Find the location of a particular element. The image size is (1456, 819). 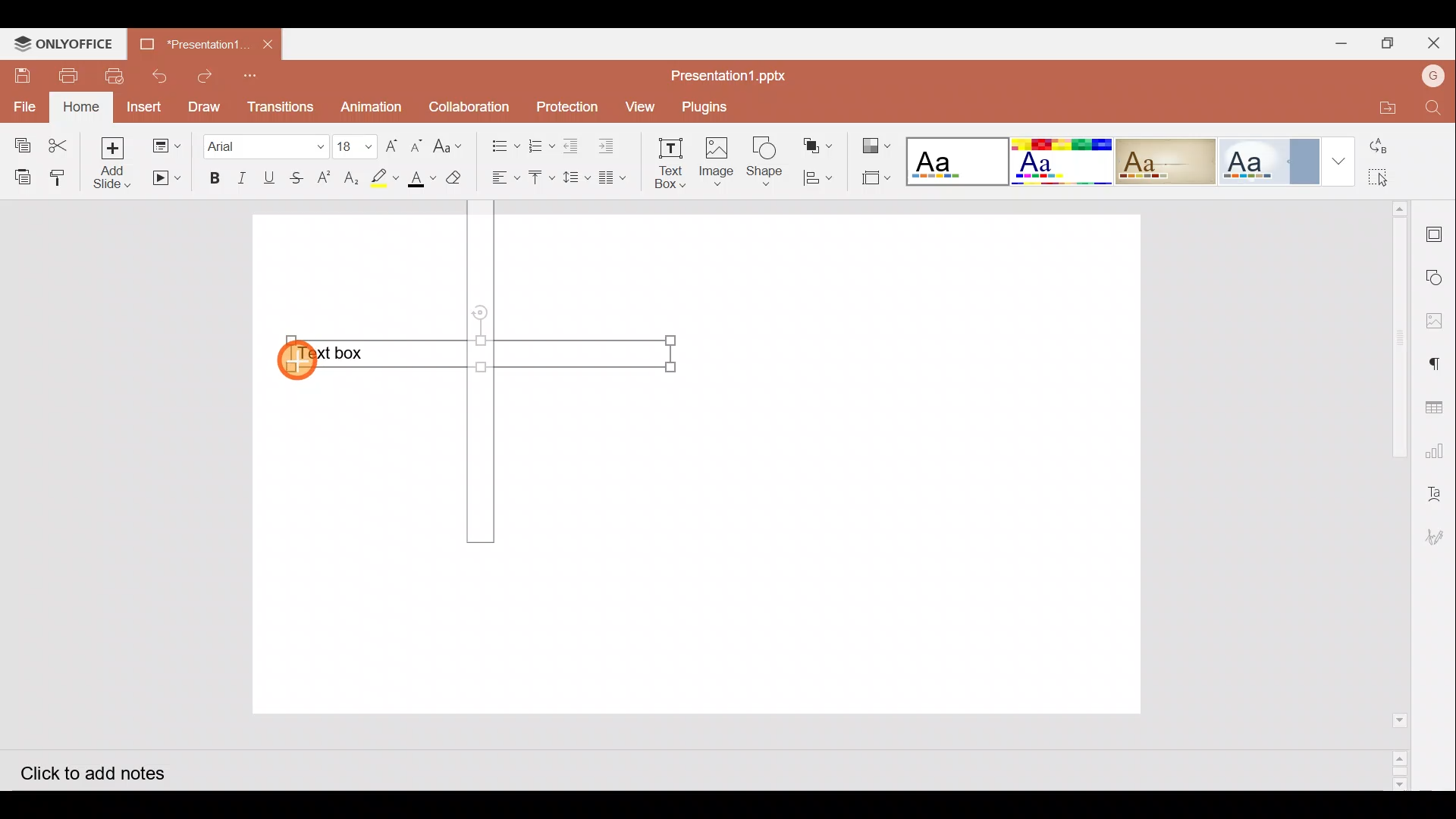

Add slide is located at coordinates (118, 164).